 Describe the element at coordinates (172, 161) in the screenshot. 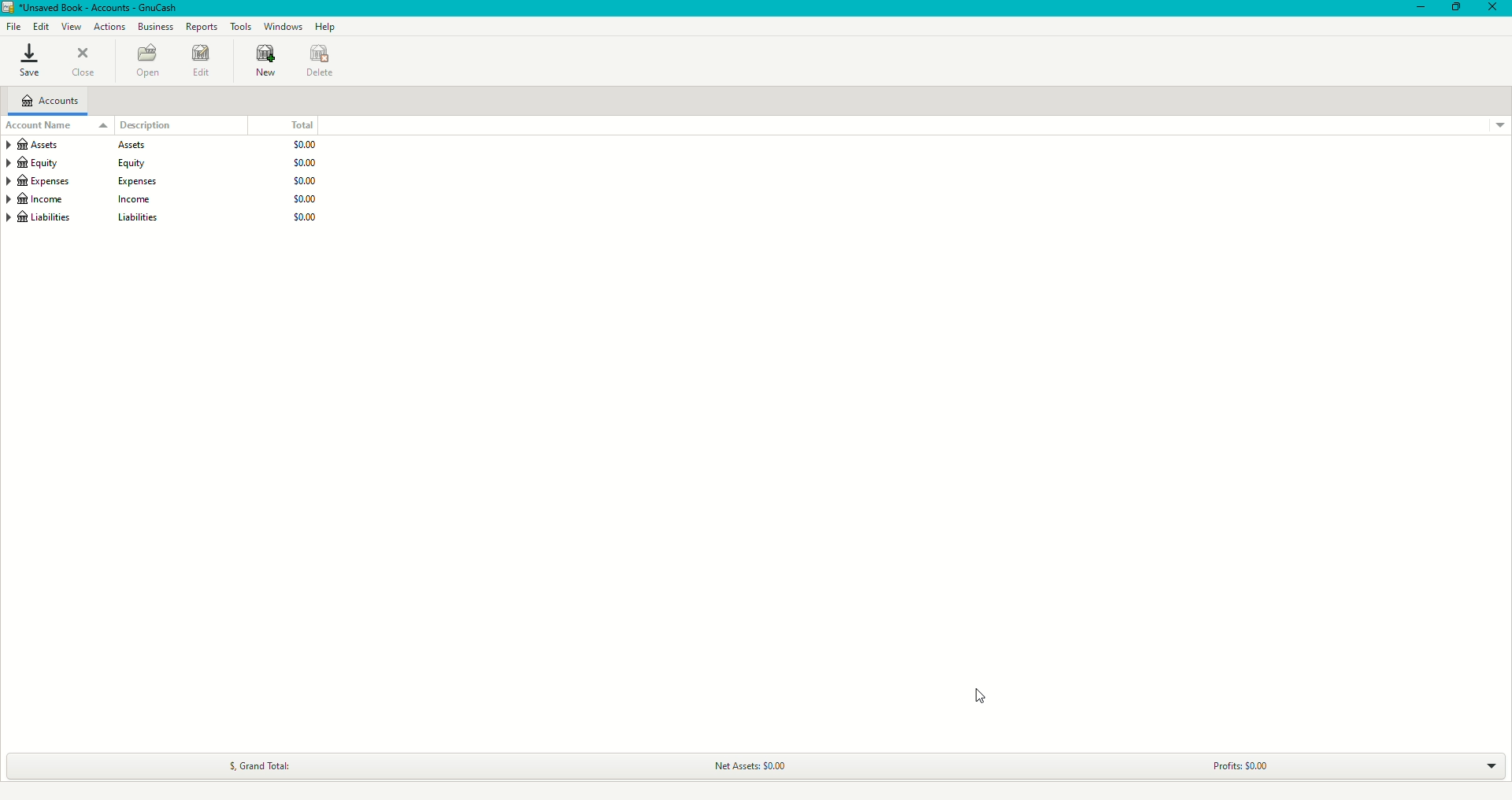

I see `Equity` at that location.